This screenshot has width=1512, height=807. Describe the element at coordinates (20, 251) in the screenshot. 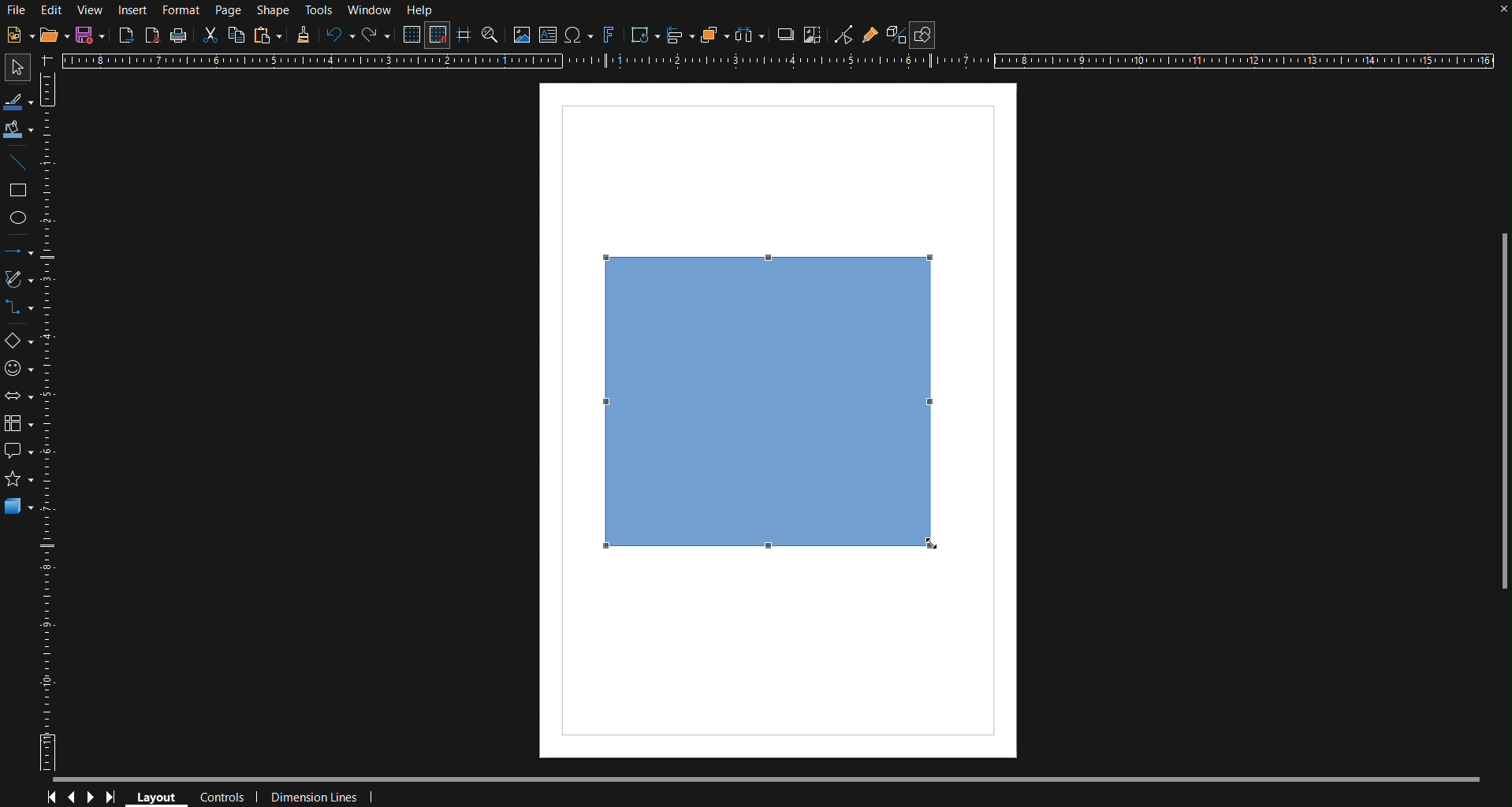

I see `Lines and Arrows` at that location.